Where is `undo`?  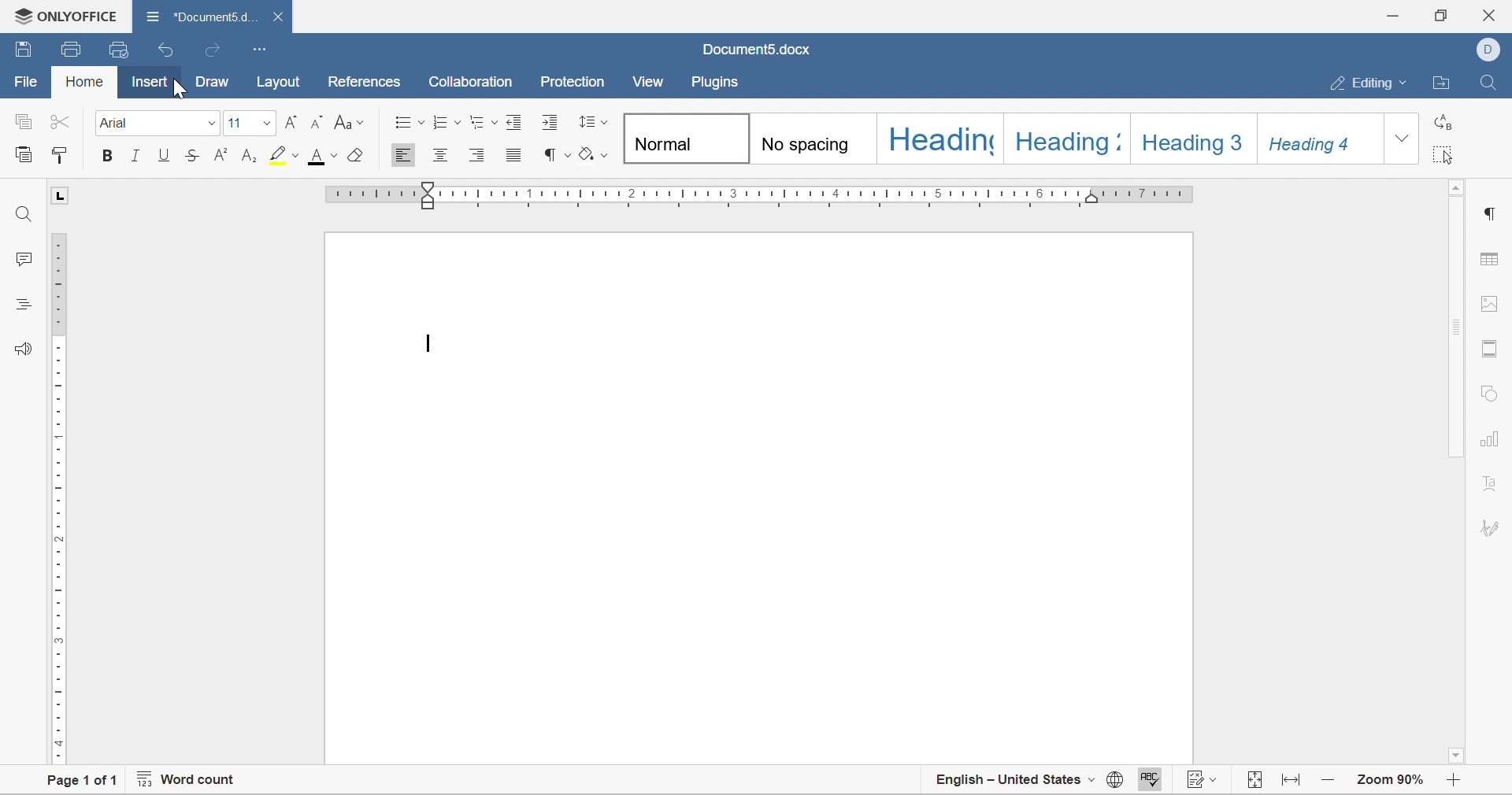 undo is located at coordinates (165, 50).